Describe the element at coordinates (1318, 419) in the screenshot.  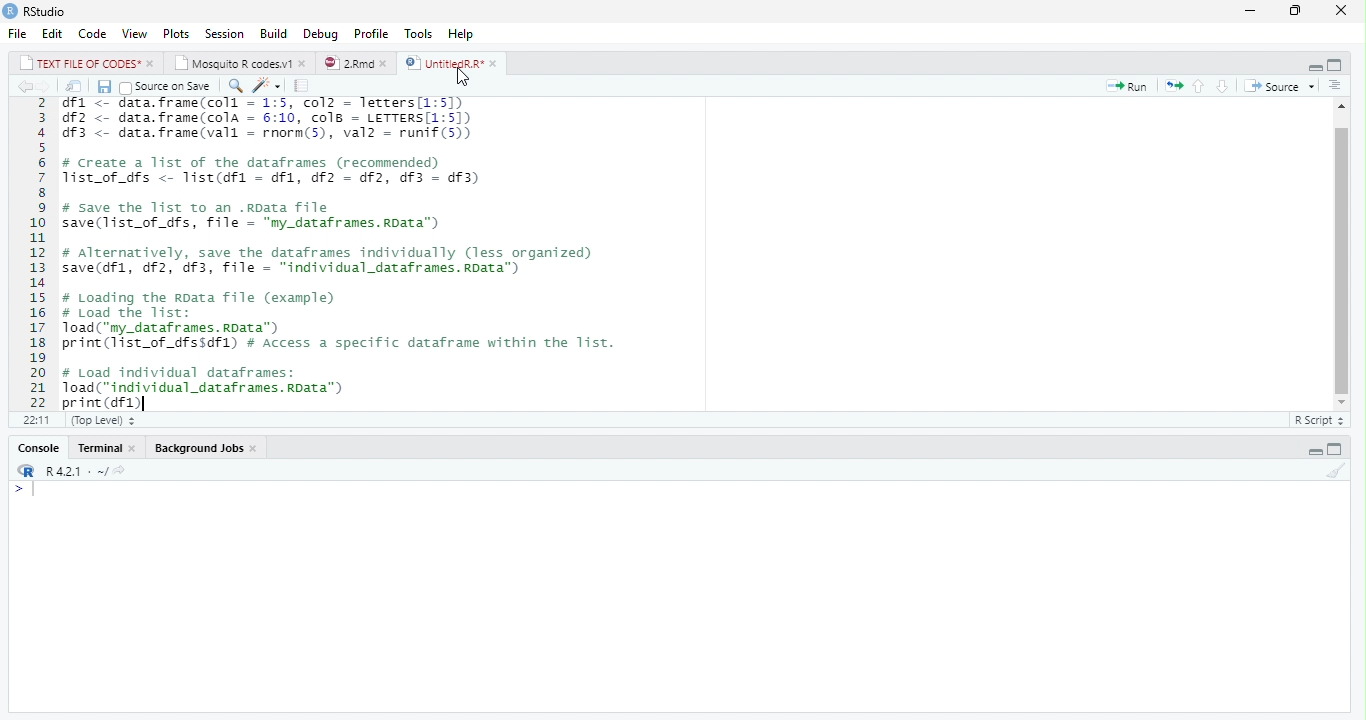
I see `R Script` at that location.